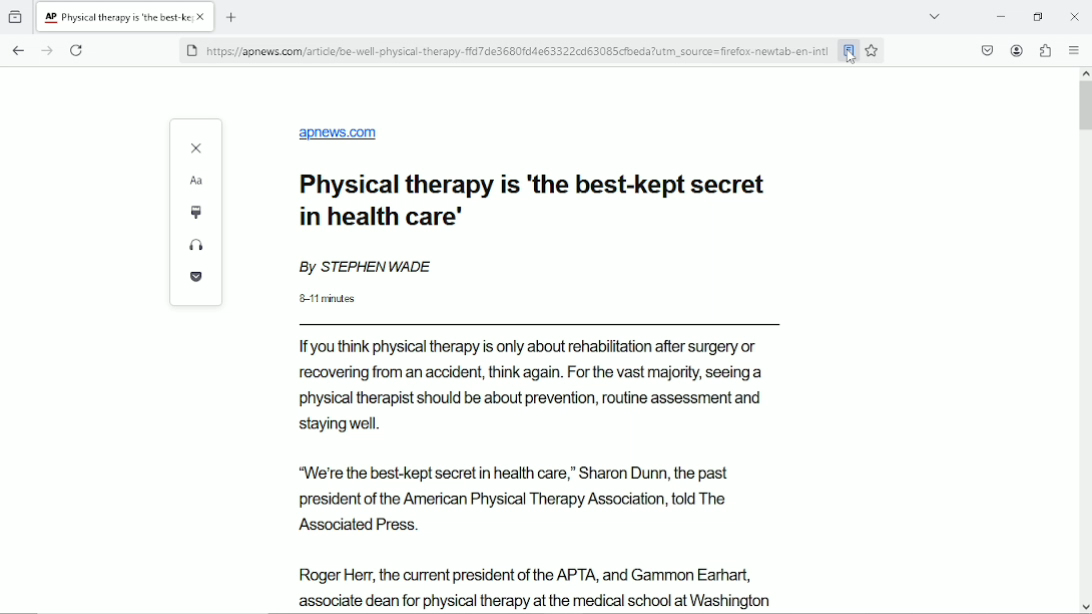 The width and height of the screenshot is (1092, 614). I want to click on save to pocket, so click(988, 50).